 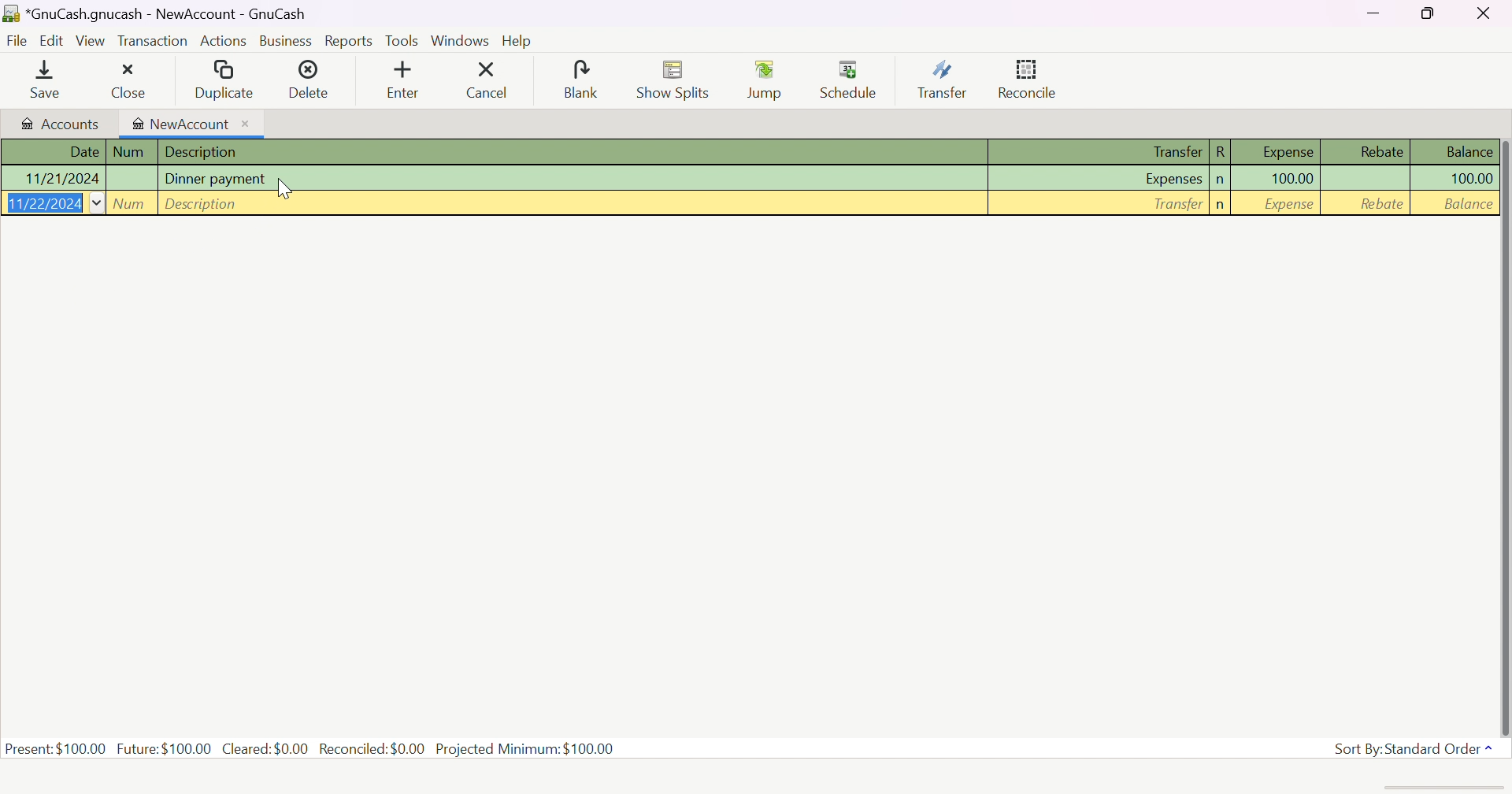 What do you see at coordinates (154, 42) in the screenshot?
I see `Transaction` at bounding box center [154, 42].